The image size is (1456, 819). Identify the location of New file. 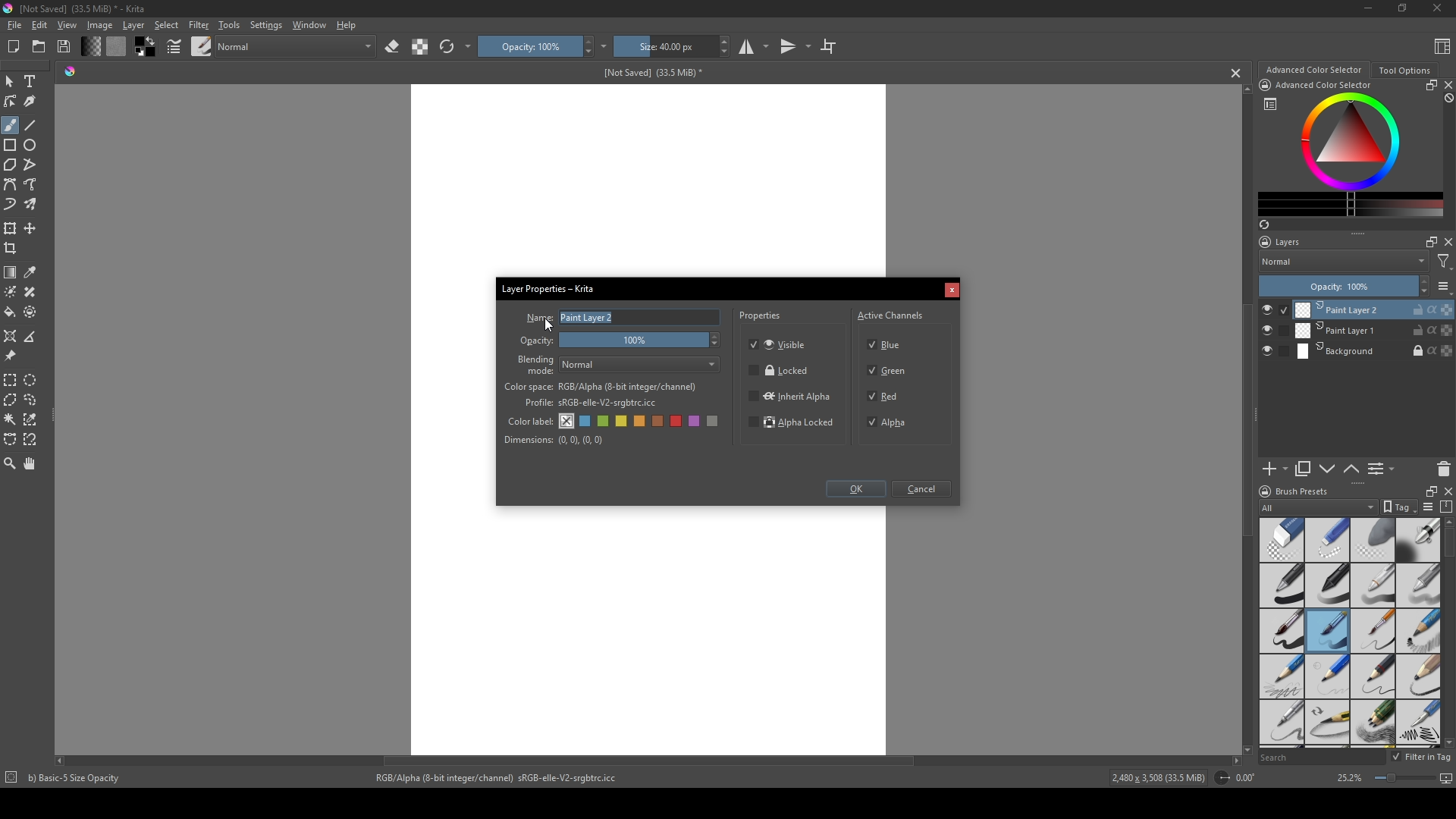
(11, 48).